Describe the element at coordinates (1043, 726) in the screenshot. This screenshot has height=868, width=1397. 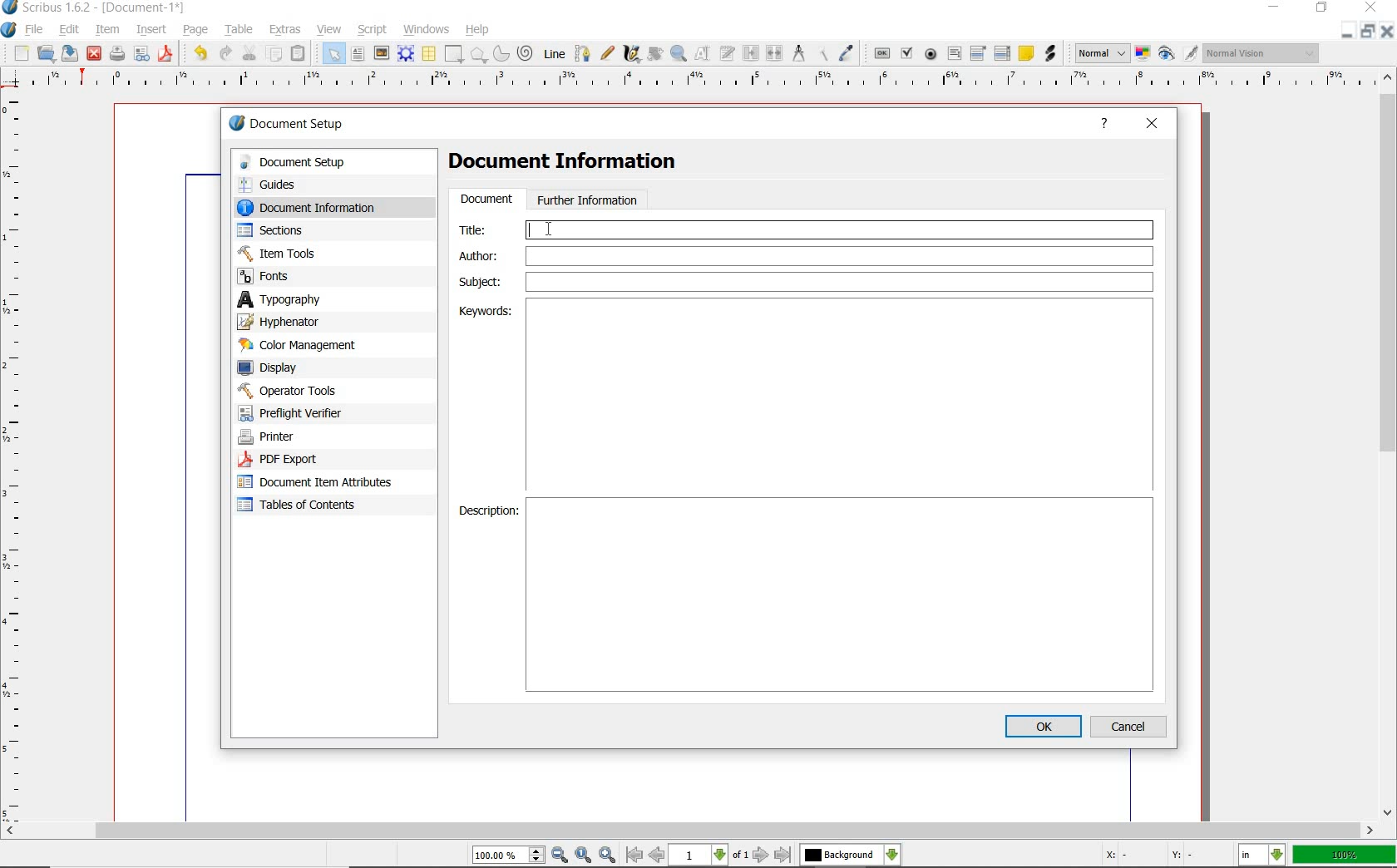
I see `ok` at that location.